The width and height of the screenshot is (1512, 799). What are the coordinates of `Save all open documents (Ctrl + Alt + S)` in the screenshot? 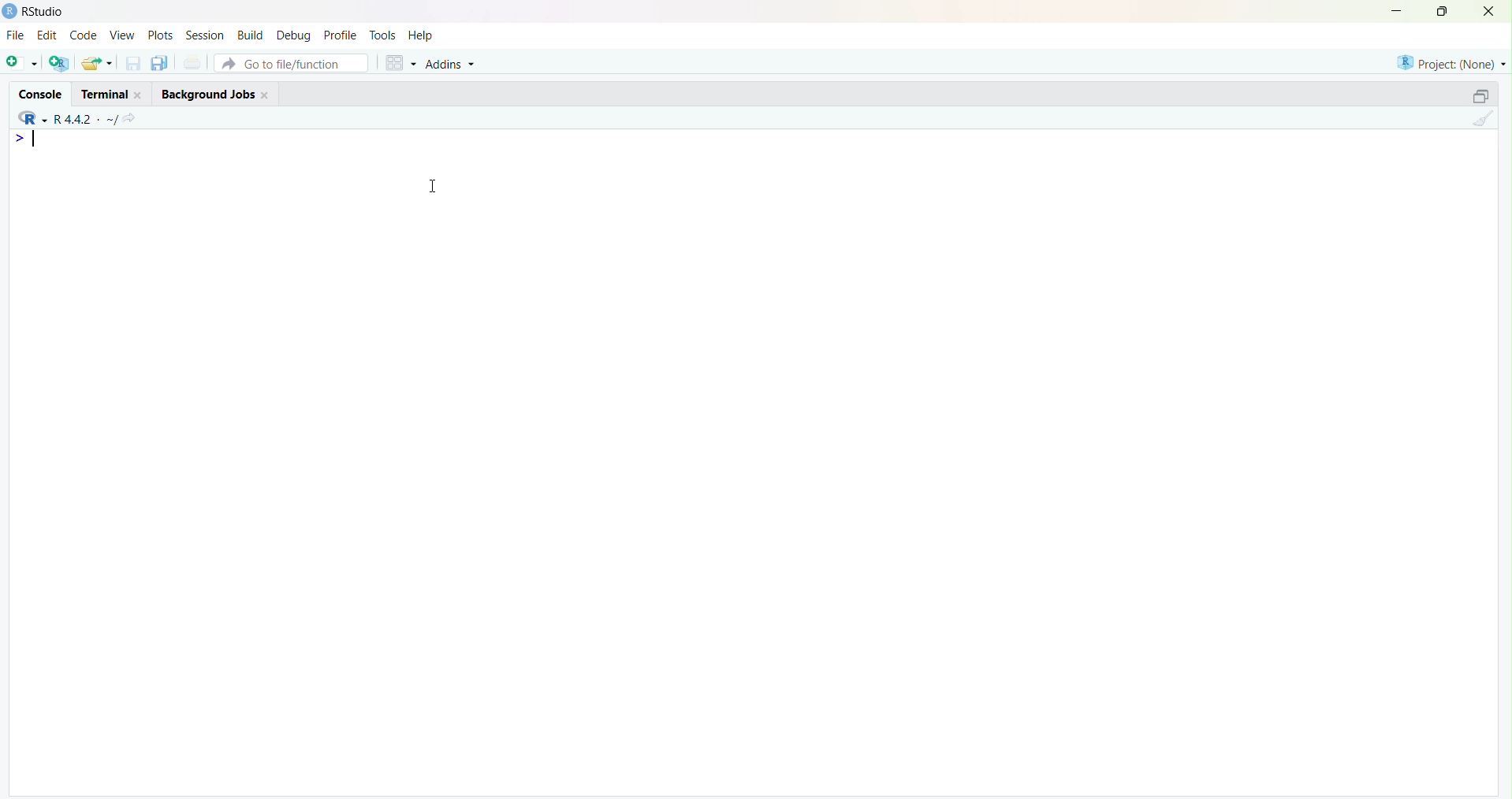 It's located at (158, 61).